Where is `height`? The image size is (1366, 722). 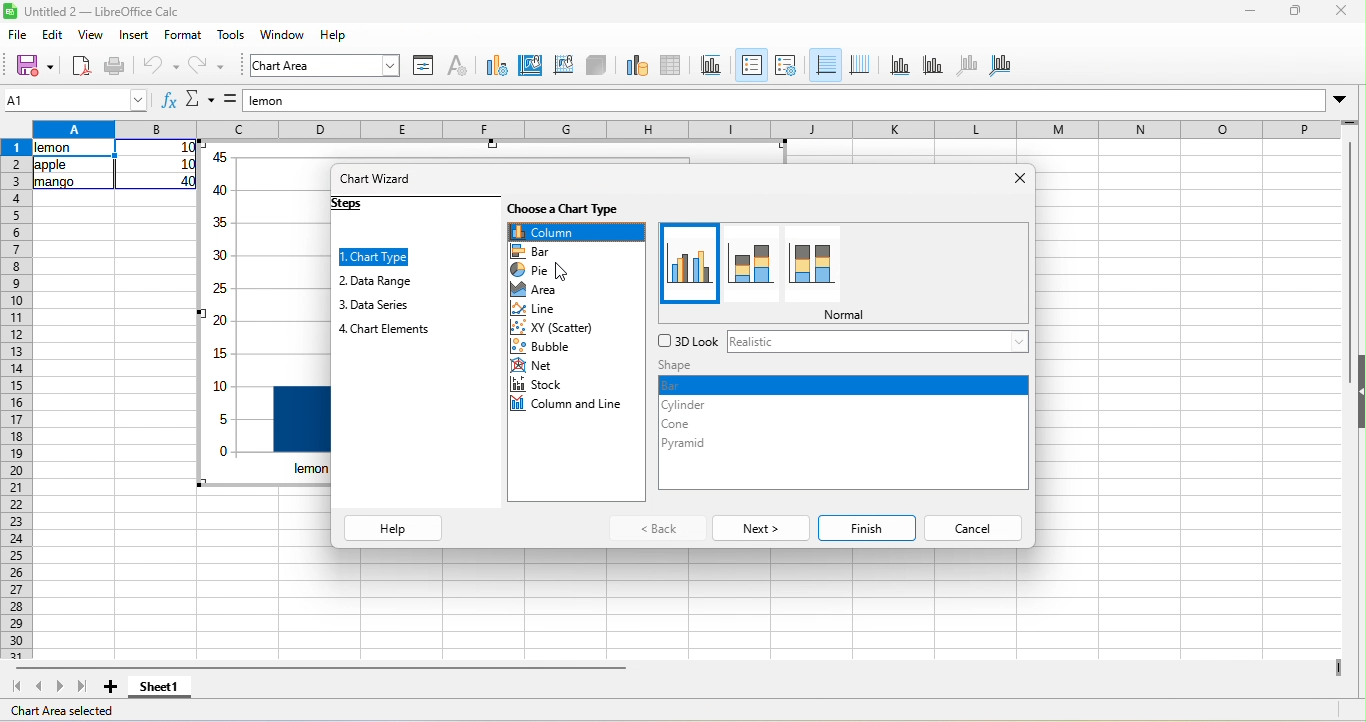 height is located at coordinates (1357, 392).